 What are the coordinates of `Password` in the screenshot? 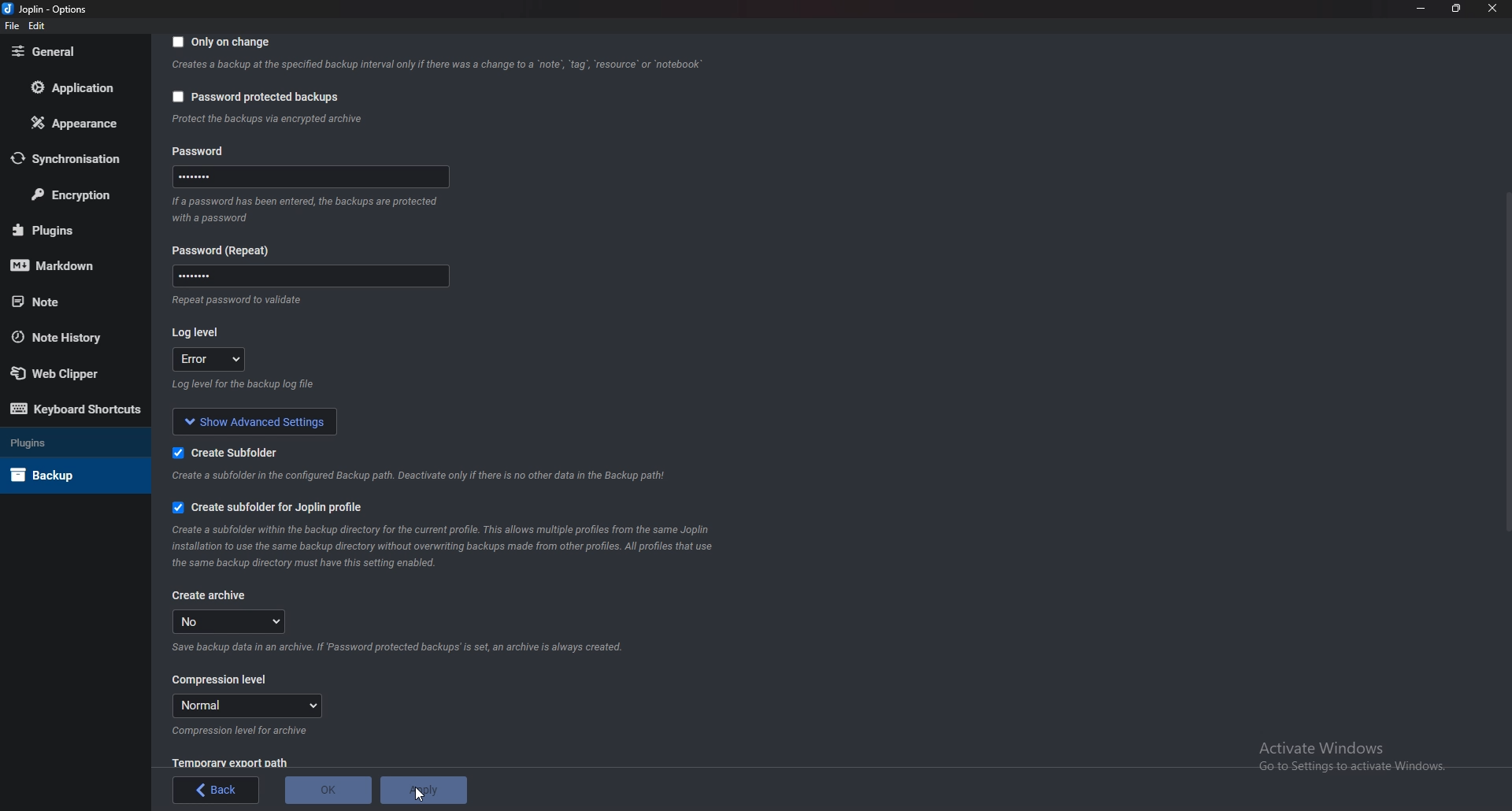 It's located at (308, 180).